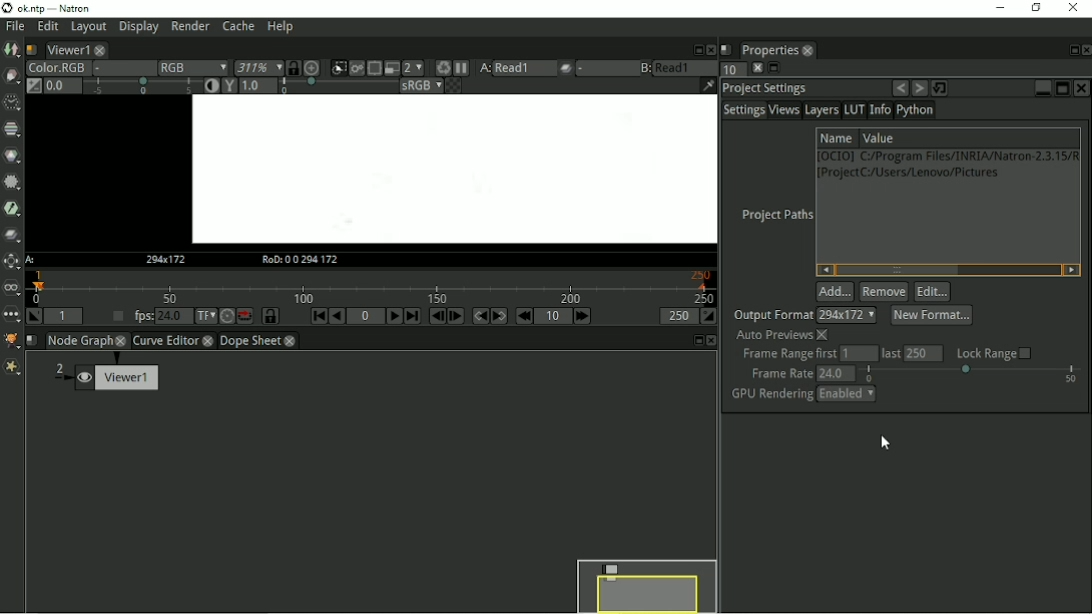 This screenshot has height=614, width=1092. I want to click on Previous frame, so click(437, 317).